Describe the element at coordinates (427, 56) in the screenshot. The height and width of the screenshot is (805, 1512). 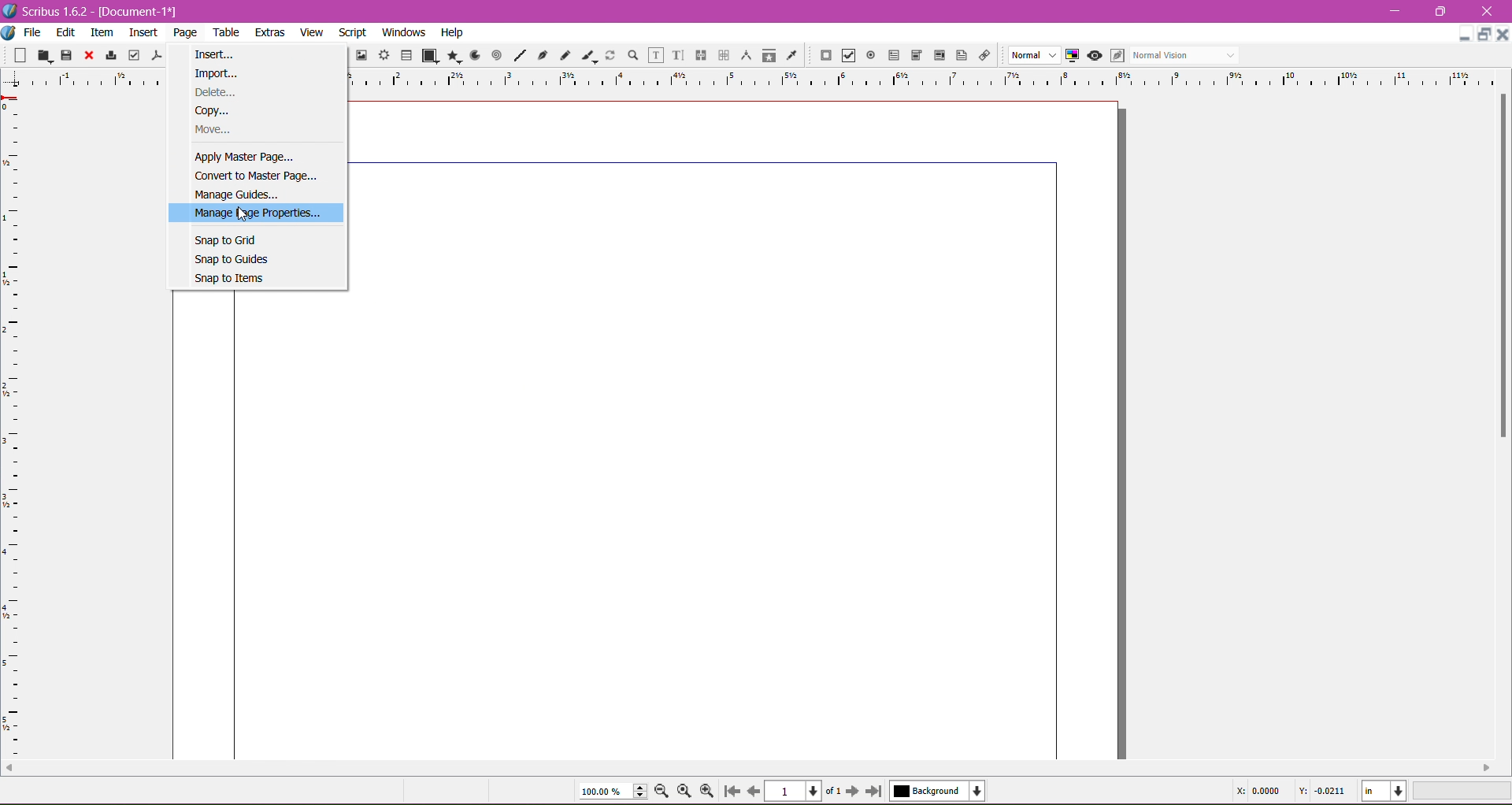
I see `Shape` at that location.